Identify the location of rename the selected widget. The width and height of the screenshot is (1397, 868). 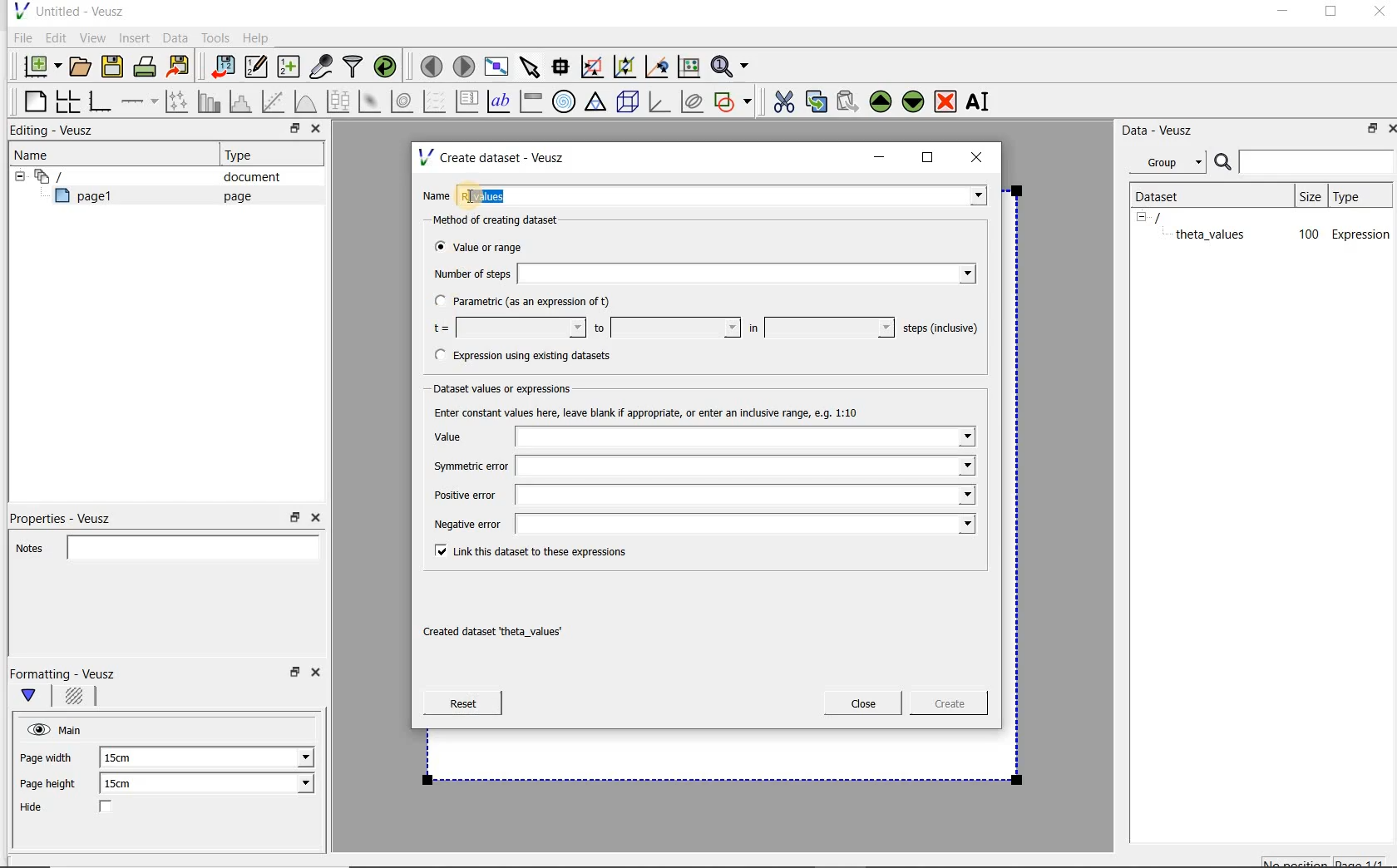
(981, 101).